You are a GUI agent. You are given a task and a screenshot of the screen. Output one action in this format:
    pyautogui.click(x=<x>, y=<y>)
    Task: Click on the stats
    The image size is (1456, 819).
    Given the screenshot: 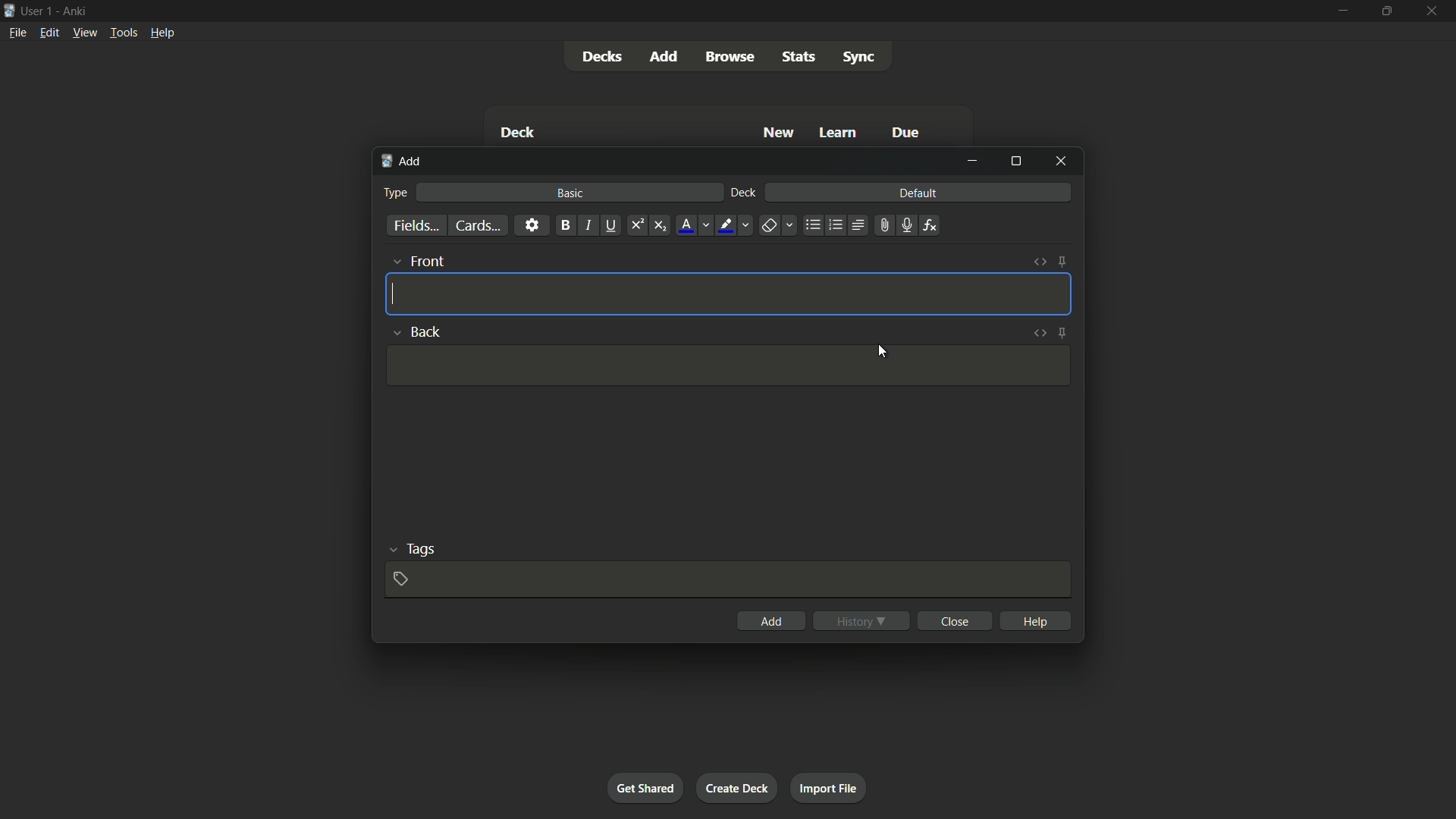 What is the action you would take?
    pyautogui.click(x=798, y=56)
    